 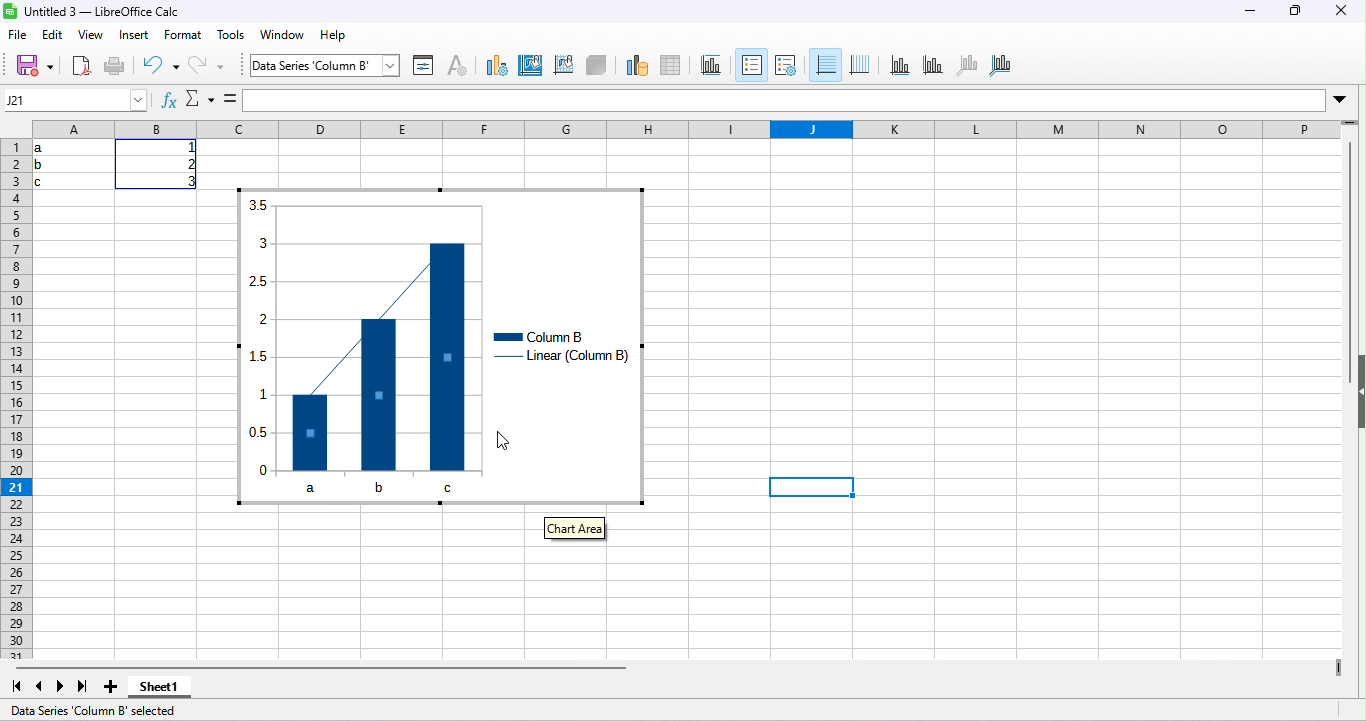 I want to click on 3d view, so click(x=596, y=67).